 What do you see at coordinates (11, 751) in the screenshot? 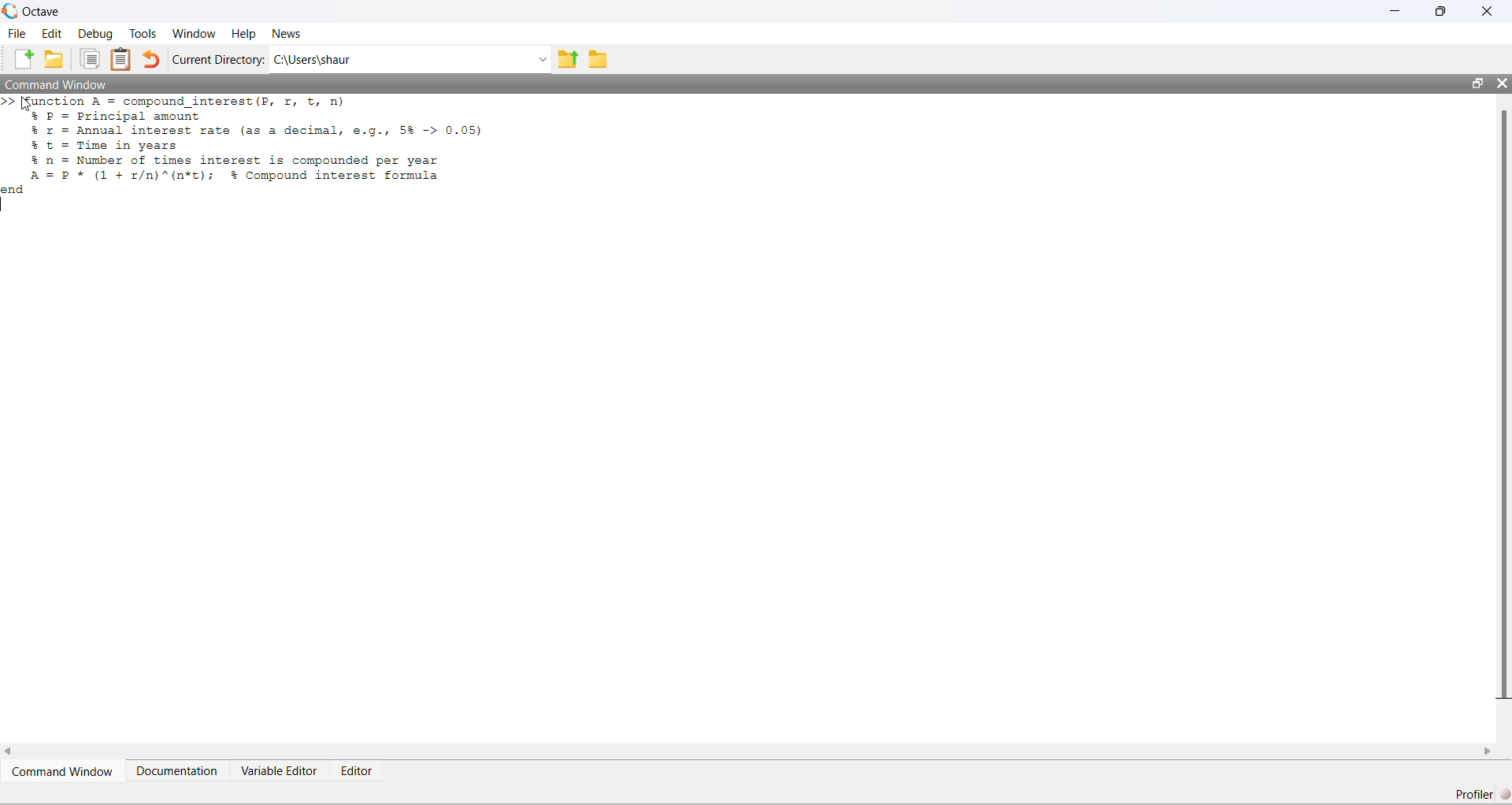
I see `scroll left` at bounding box center [11, 751].